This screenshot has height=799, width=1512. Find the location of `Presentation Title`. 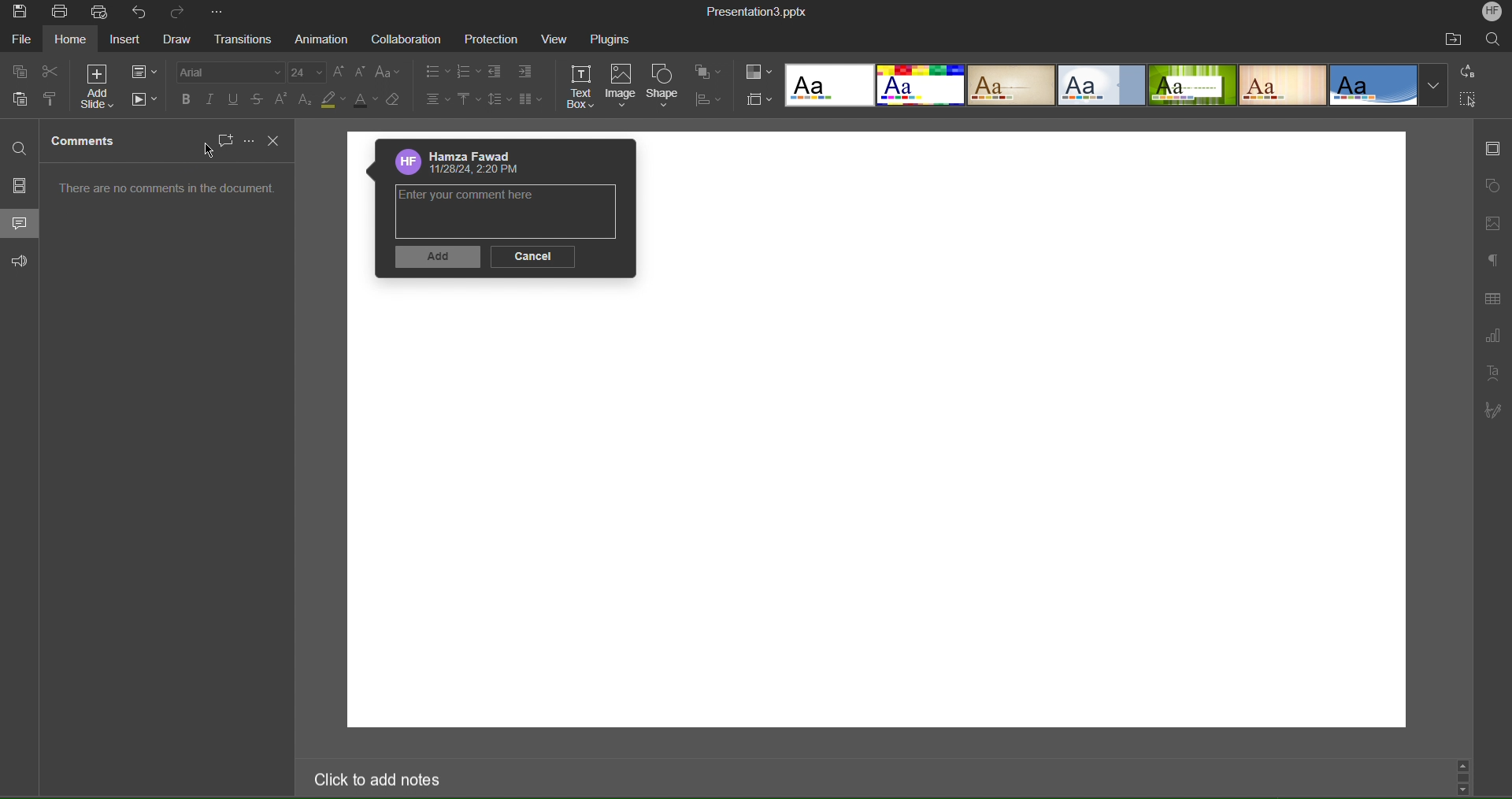

Presentation Title is located at coordinates (754, 12).